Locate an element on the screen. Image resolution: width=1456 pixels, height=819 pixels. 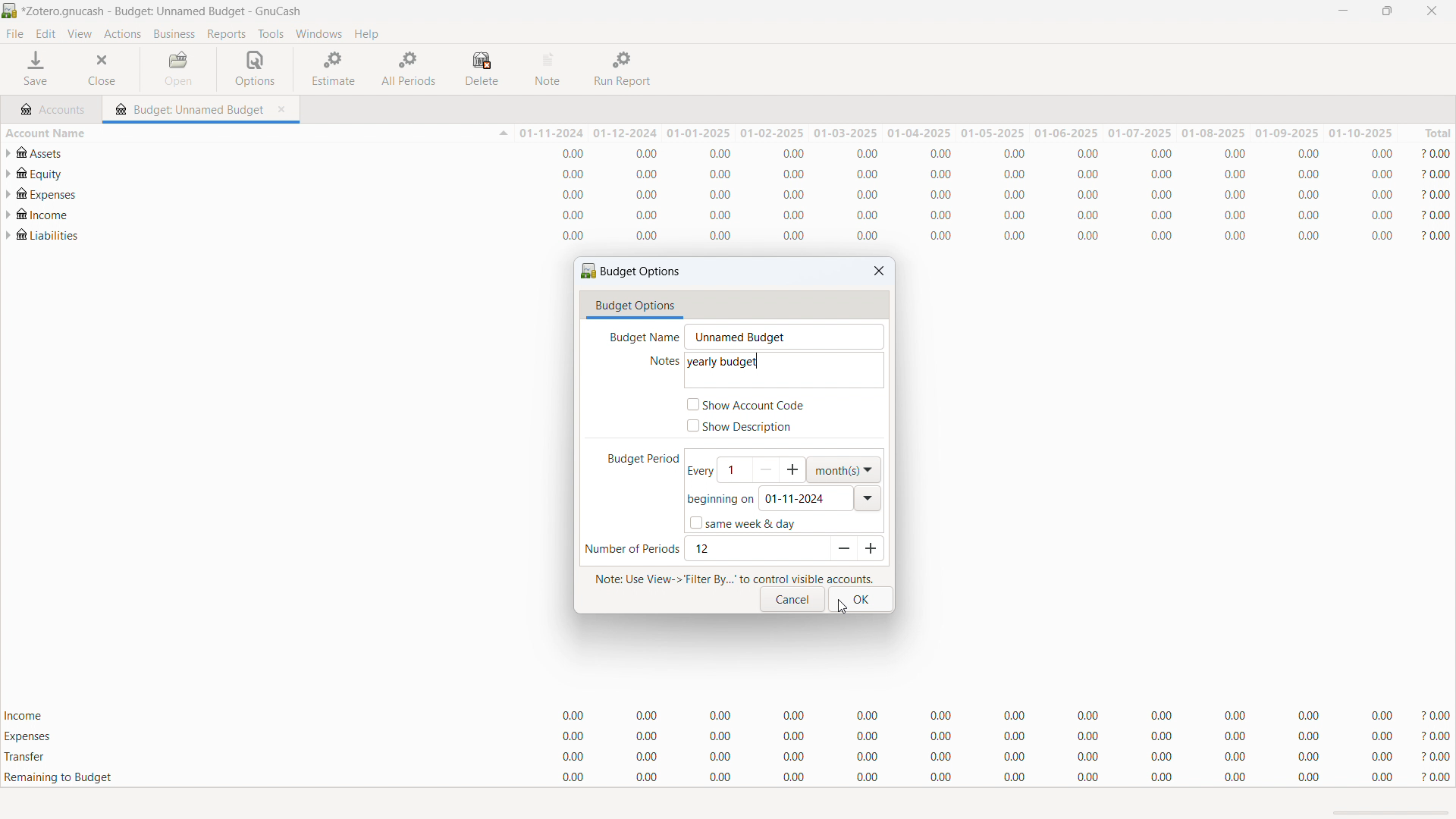
01-11-2024 is located at coordinates (551, 133).